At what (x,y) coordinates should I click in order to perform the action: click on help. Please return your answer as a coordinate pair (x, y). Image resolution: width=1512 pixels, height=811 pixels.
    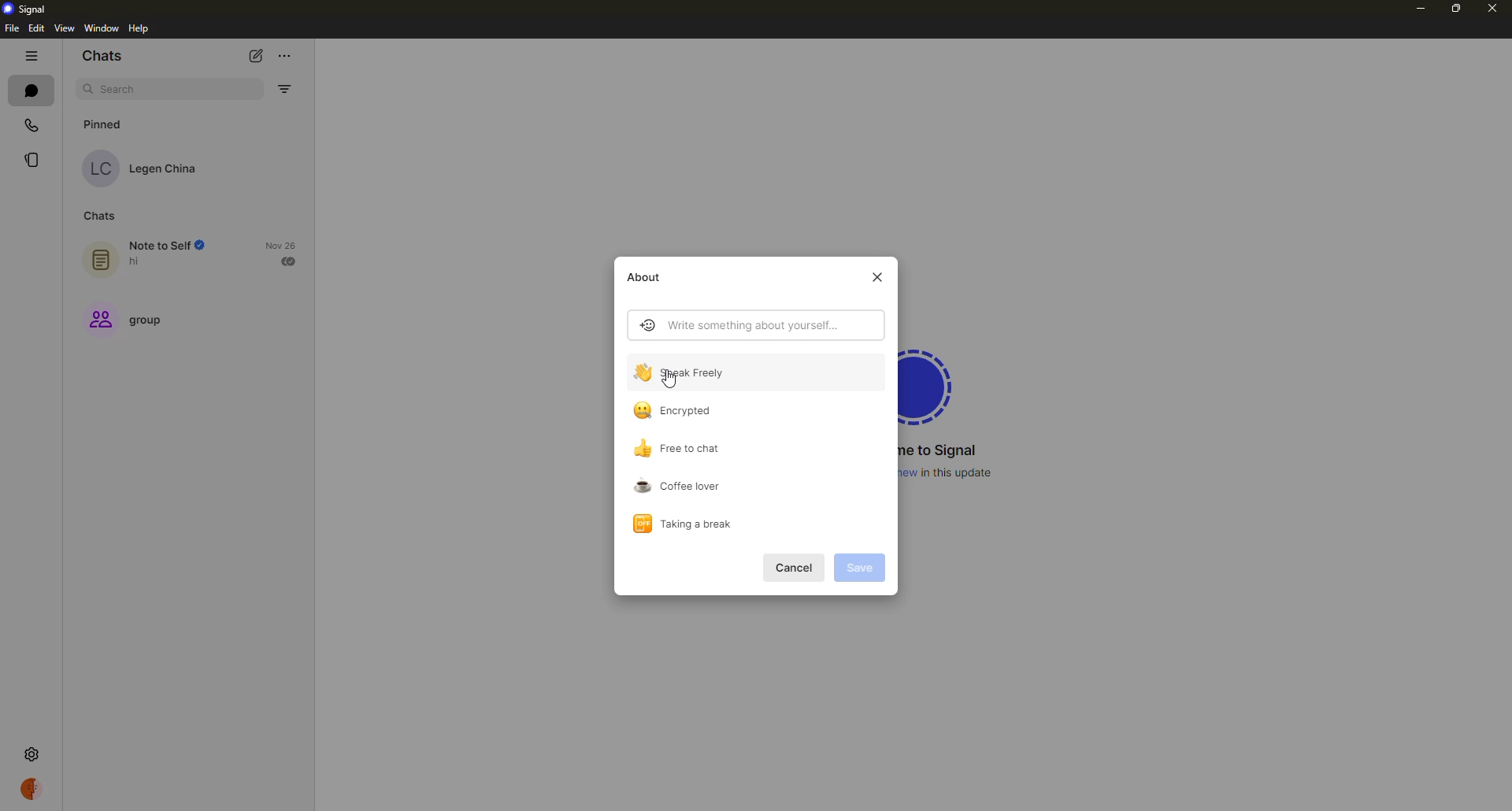
    Looking at the image, I should click on (140, 29).